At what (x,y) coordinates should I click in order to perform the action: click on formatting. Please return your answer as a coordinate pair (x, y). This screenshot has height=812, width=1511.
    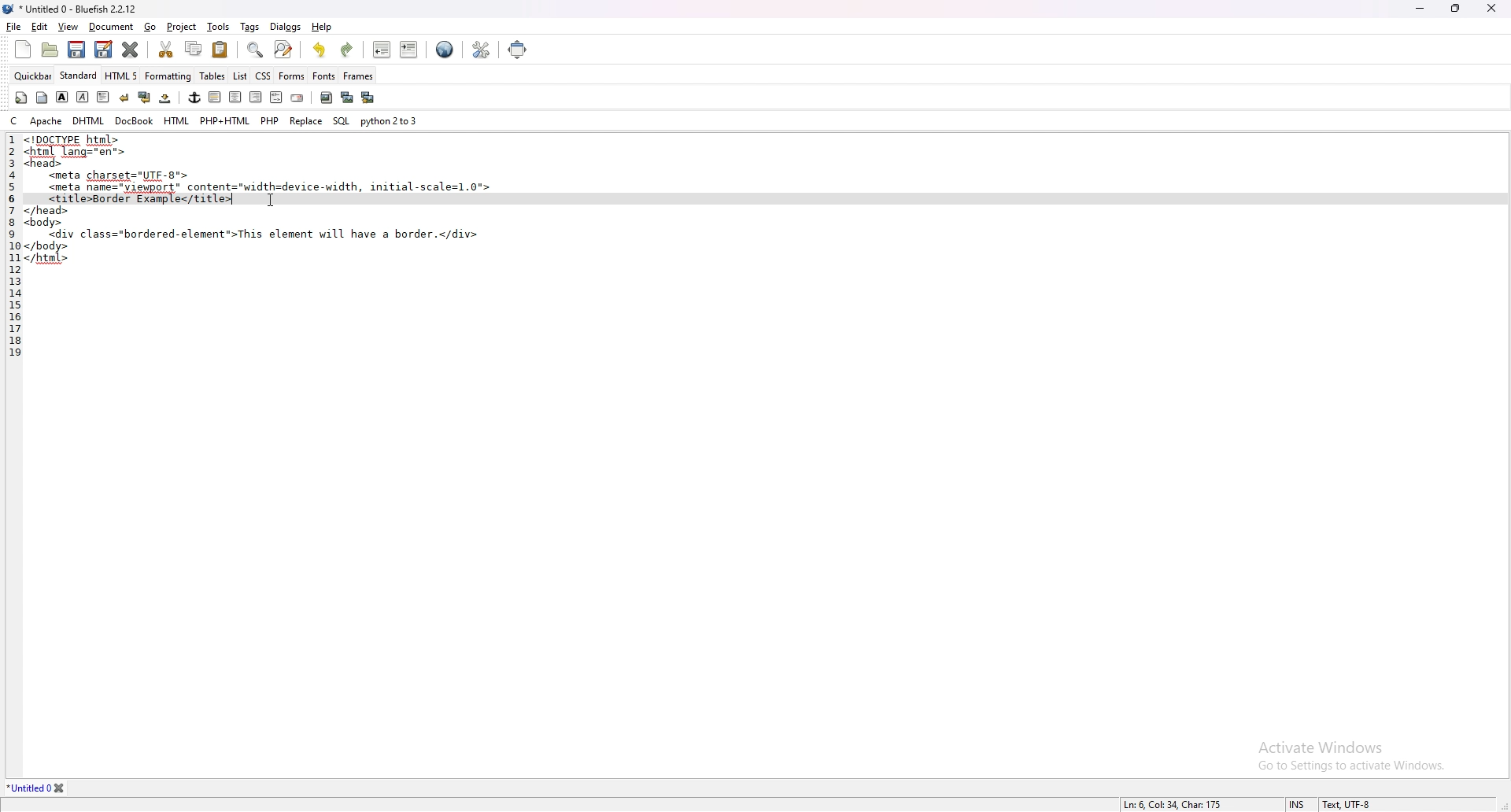
    Looking at the image, I should click on (168, 76).